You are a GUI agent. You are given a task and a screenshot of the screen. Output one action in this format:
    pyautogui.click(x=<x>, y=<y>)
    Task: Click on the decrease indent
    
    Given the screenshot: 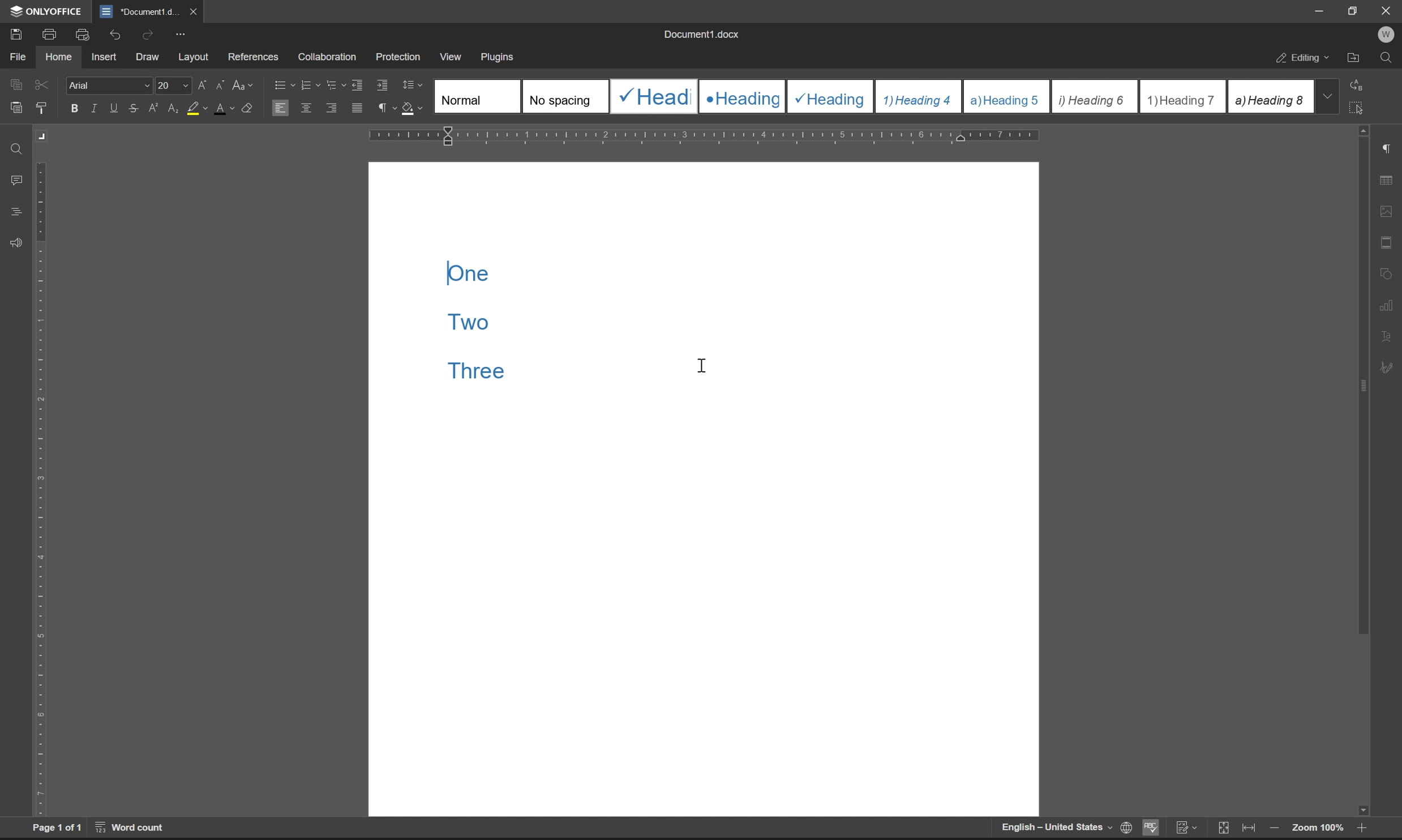 What is the action you would take?
    pyautogui.click(x=360, y=84)
    